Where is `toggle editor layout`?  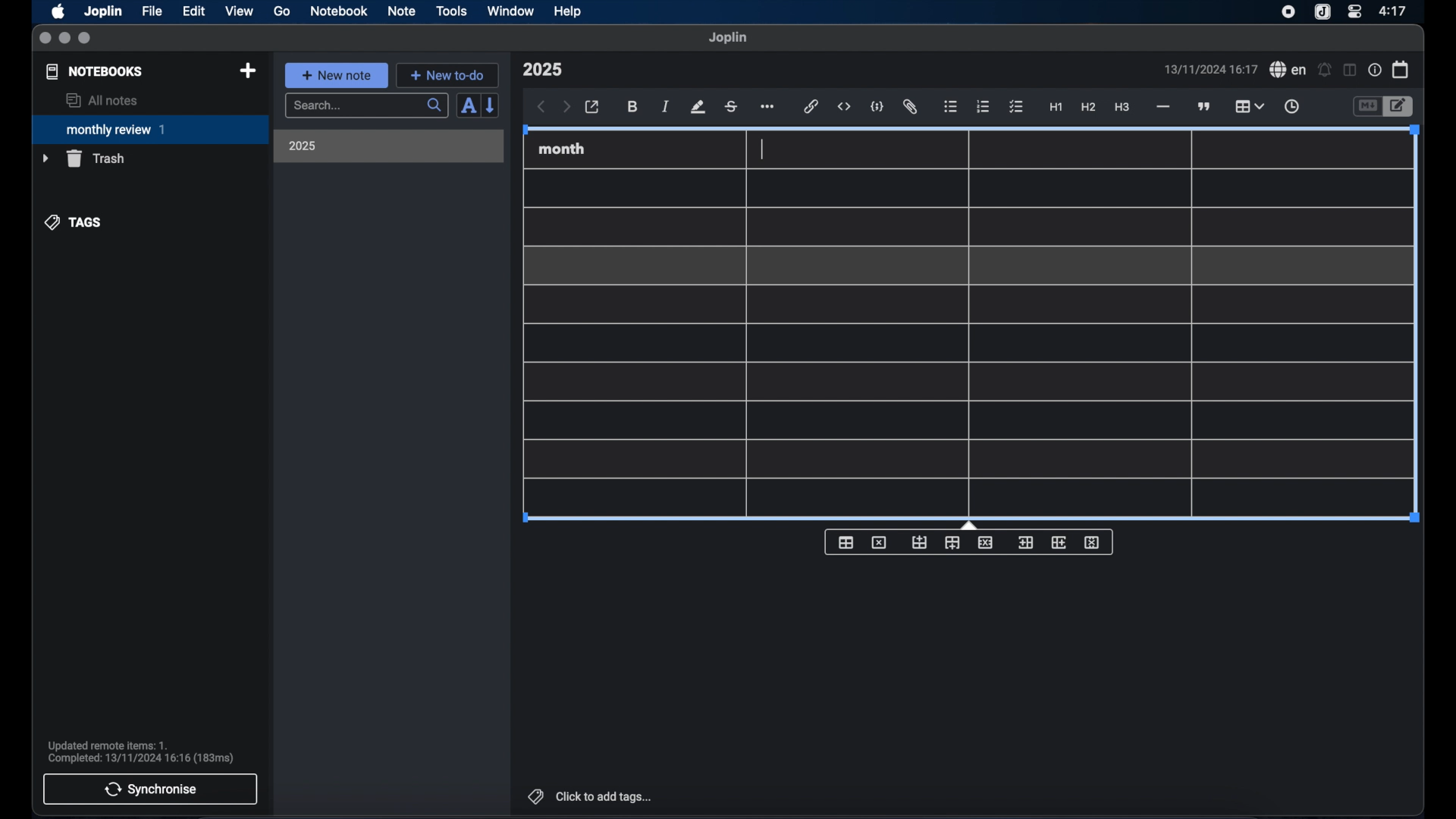
toggle editor layout is located at coordinates (1351, 70).